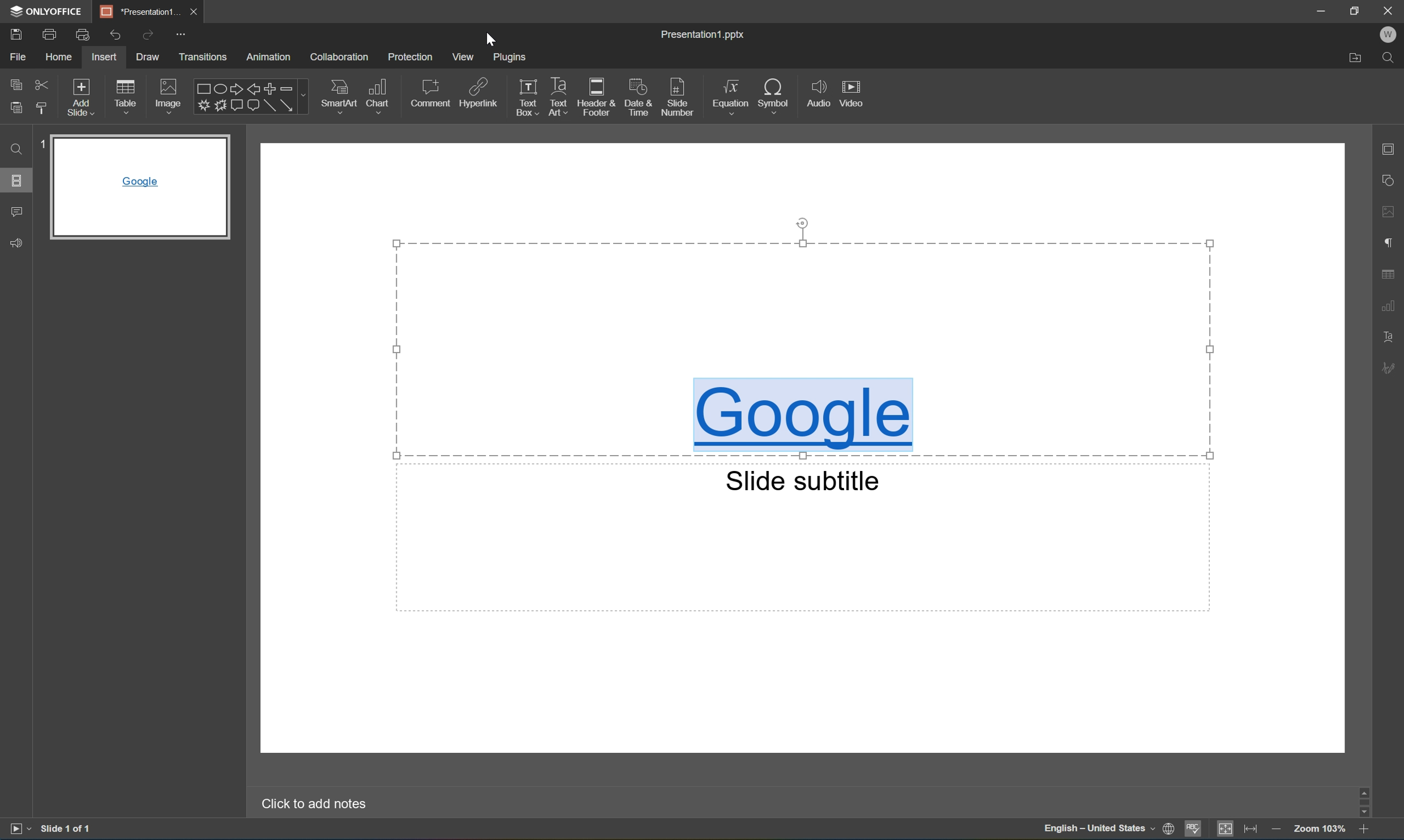  What do you see at coordinates (127, 98) in the screenshot?
I see `Table` at bounding box center [127, 98].